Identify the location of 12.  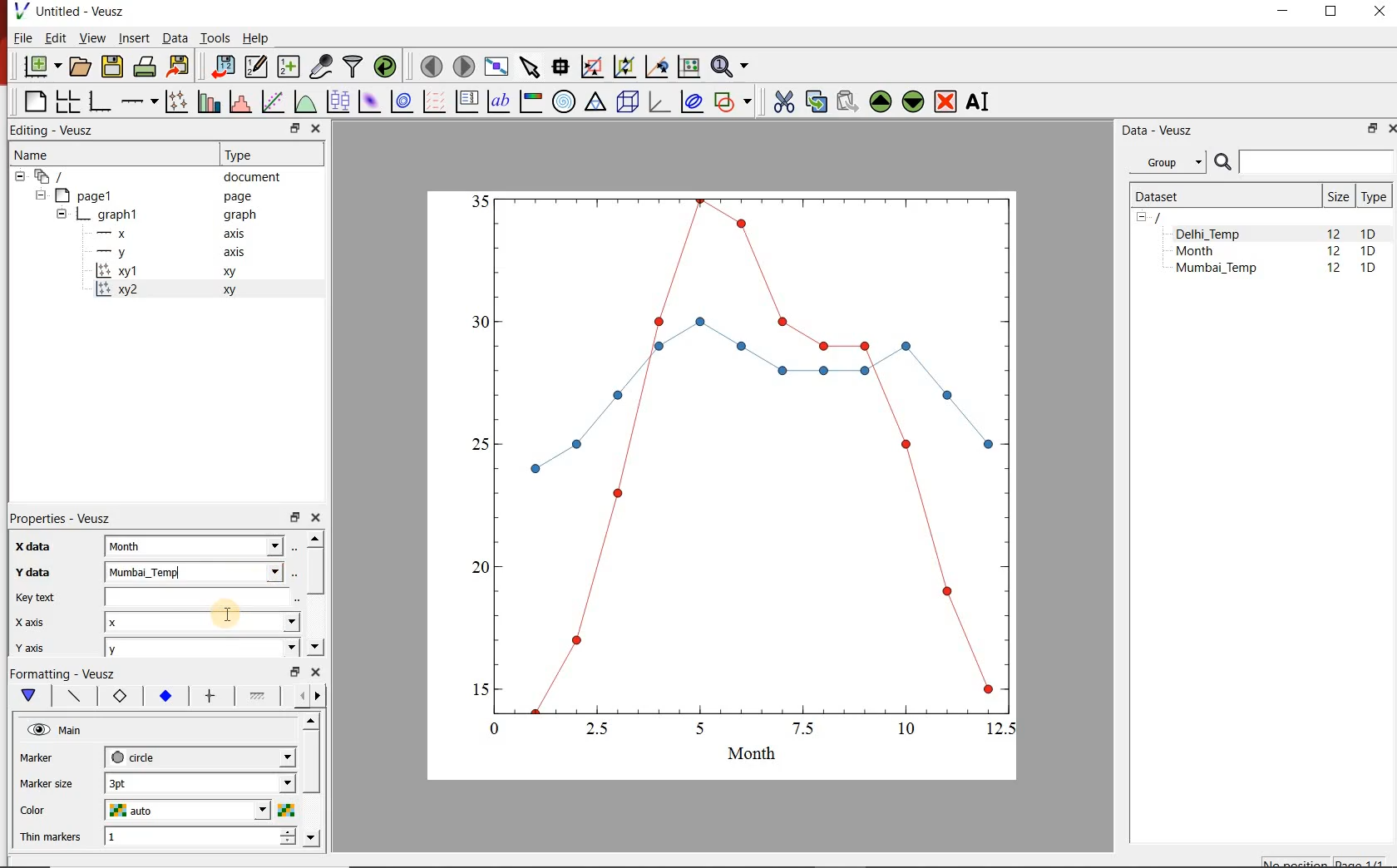
(1334, 253).